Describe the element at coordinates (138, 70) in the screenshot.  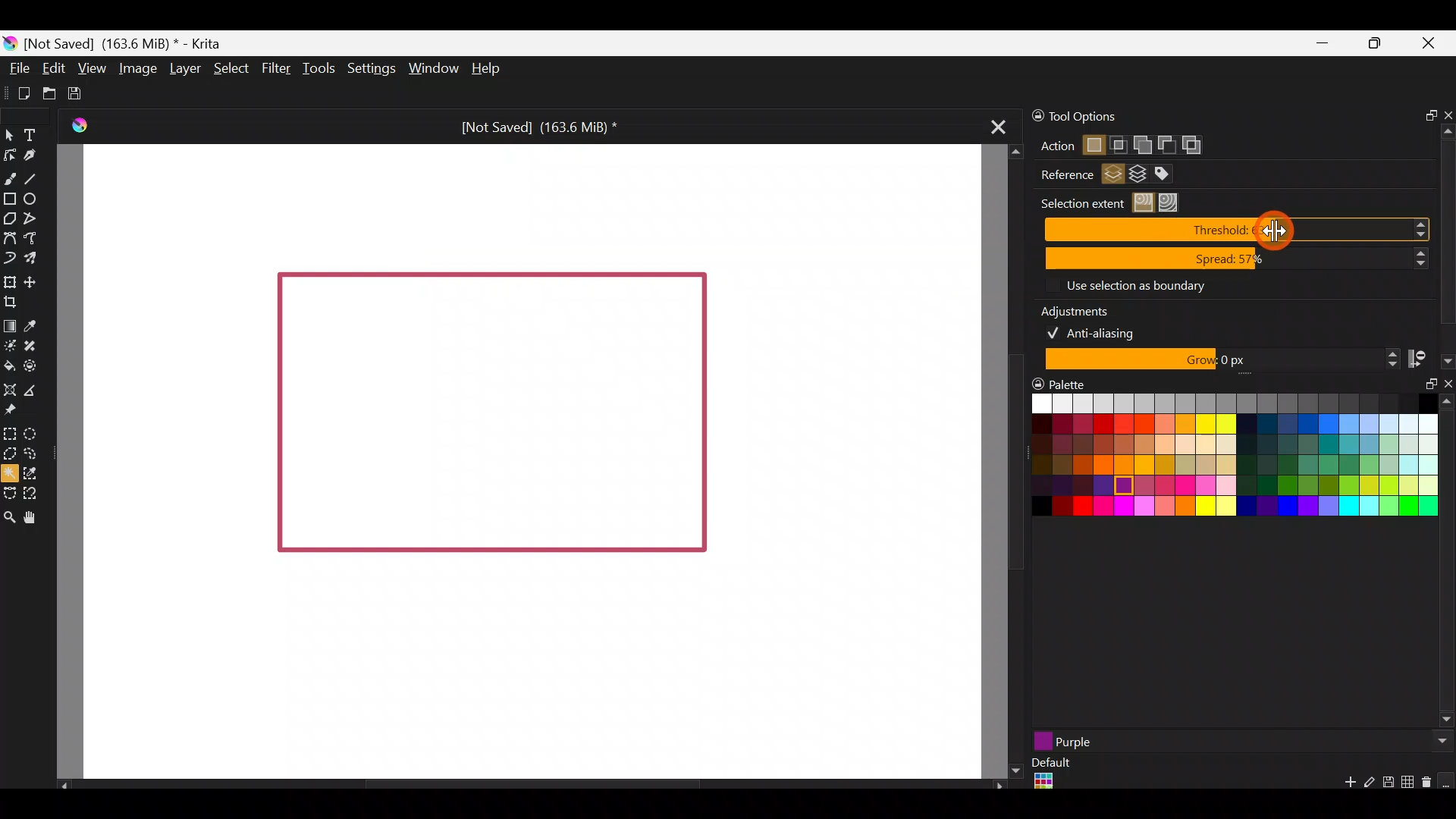
I see `Image` at that location.